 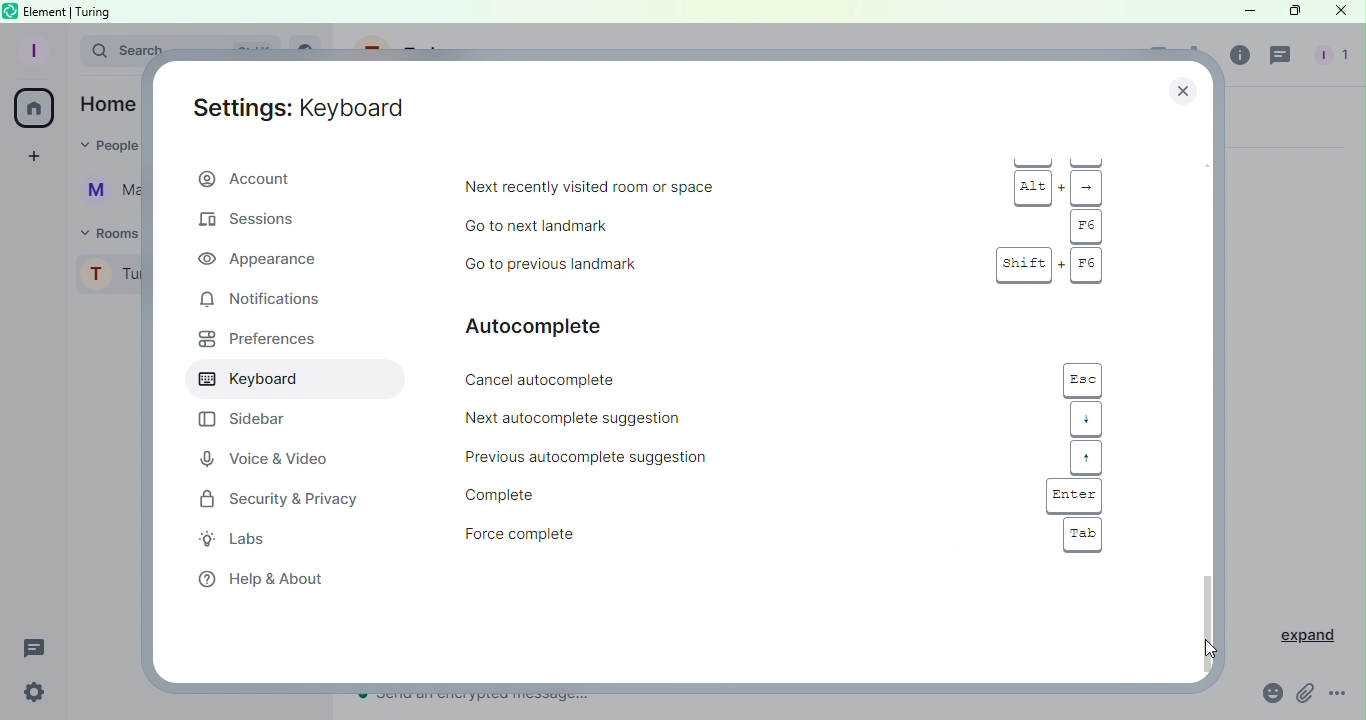 I want to click on Element icon, so click(x=12, y=10).